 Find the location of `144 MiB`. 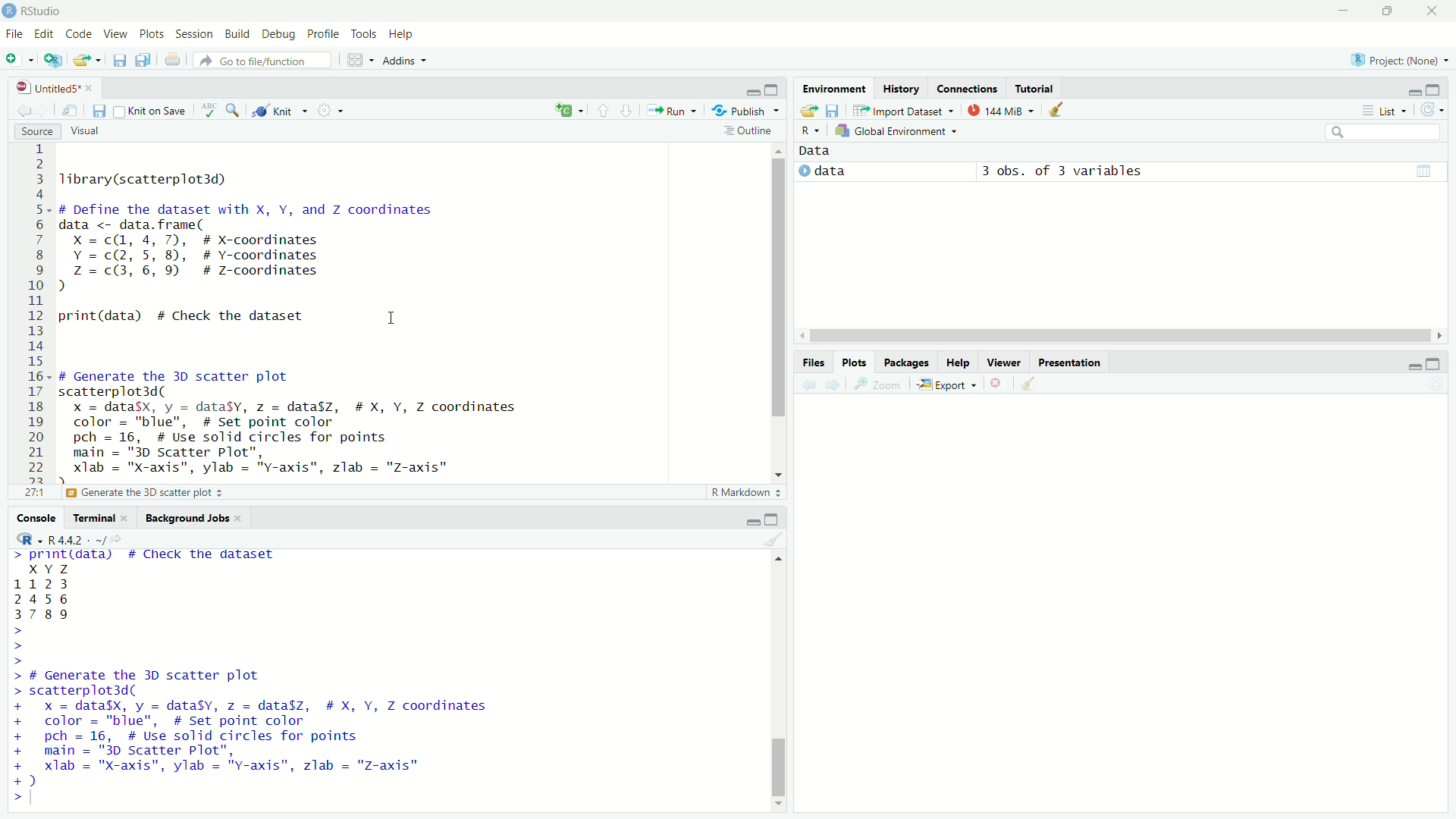

144 MiB is located at coordinates (1001, 109).